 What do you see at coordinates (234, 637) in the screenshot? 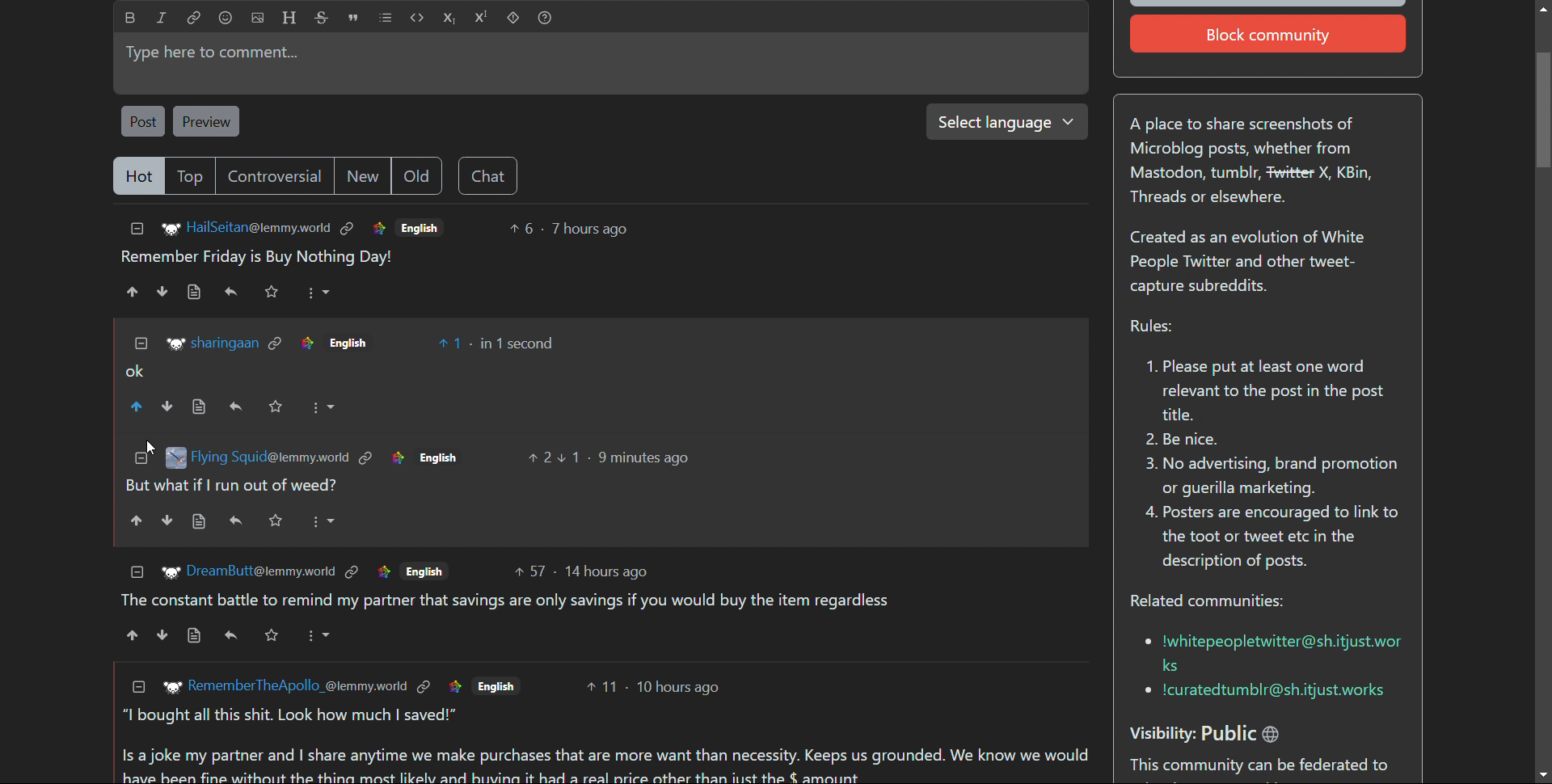
I see `reply` at bounding box center [234, 637].